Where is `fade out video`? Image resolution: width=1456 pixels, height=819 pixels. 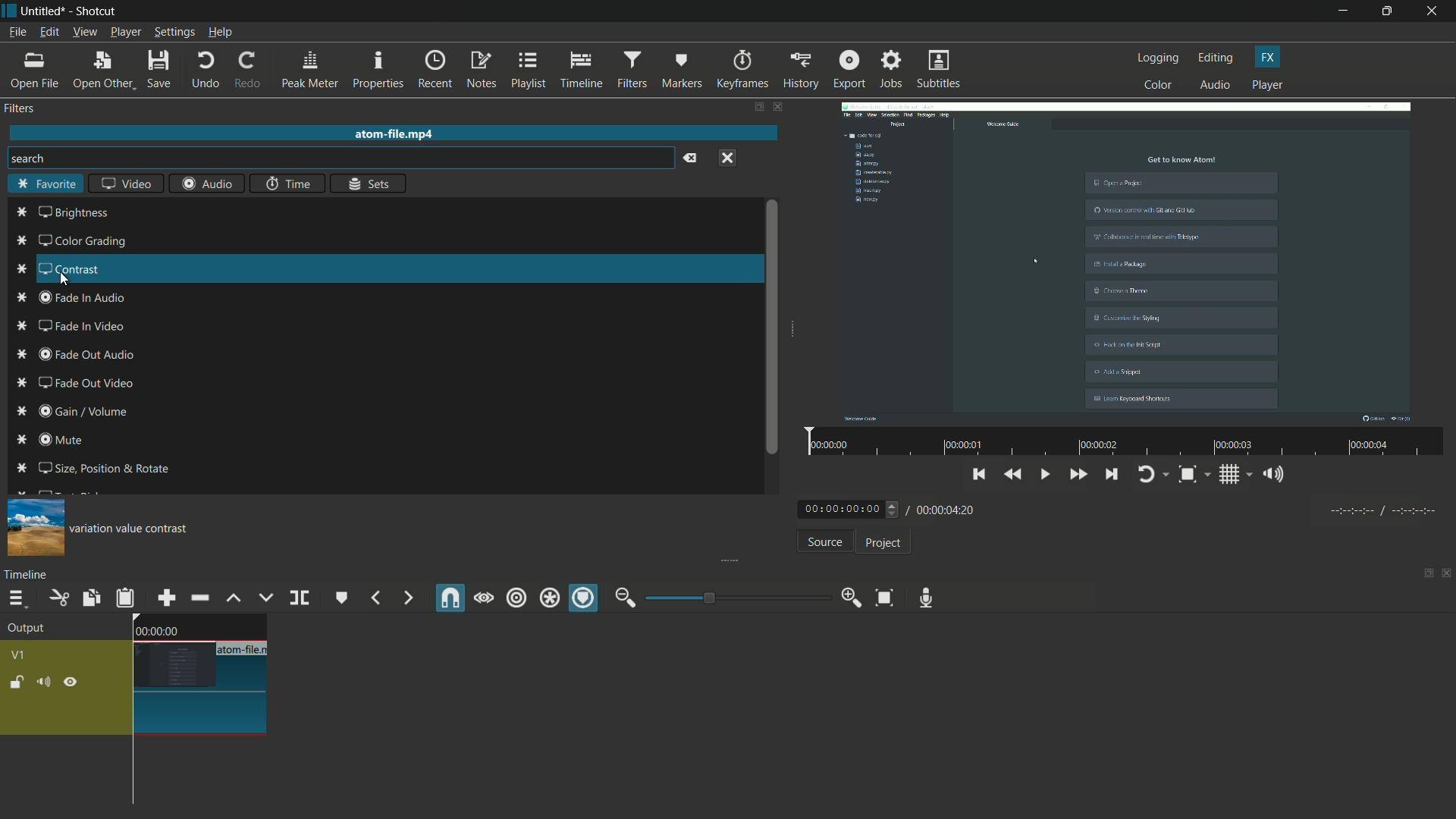
fade out video is located at coordinates (86, 382).